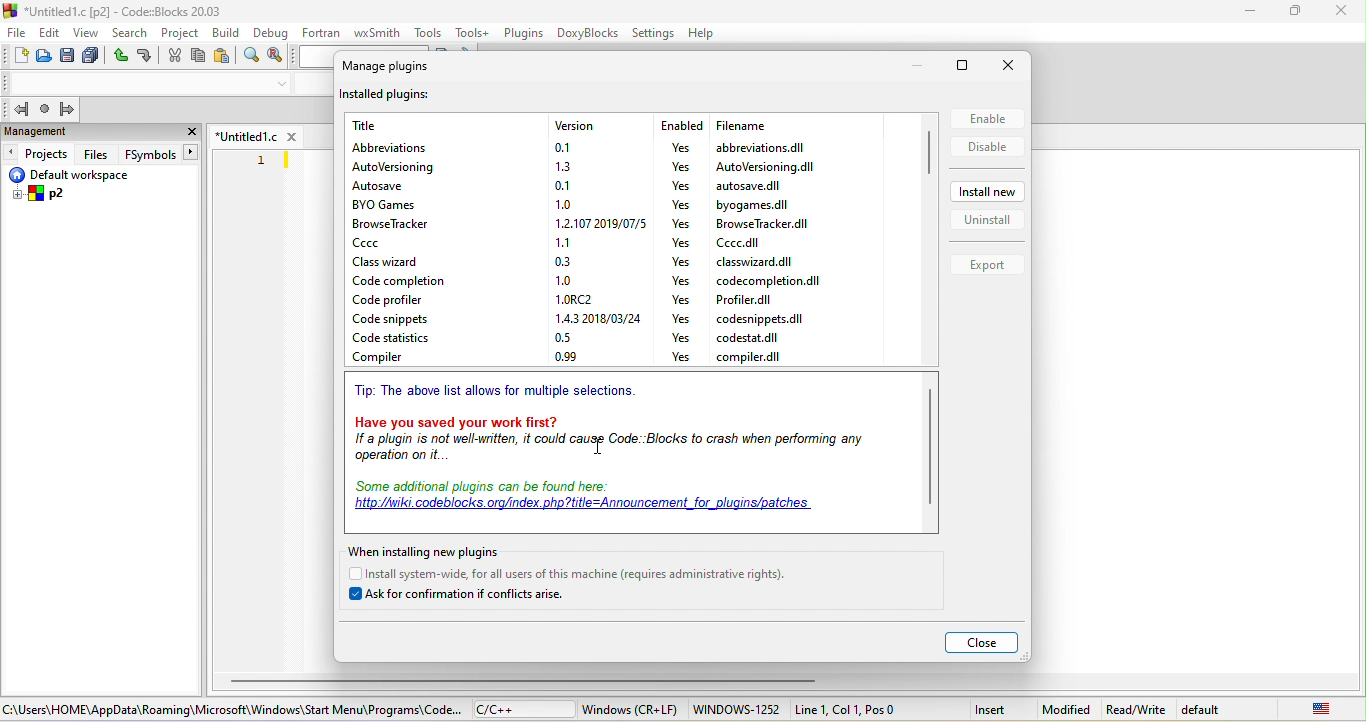 The height and width of the screenshot is (722, 1366). I want to click on vertical scroll bar, so click(930, 446).